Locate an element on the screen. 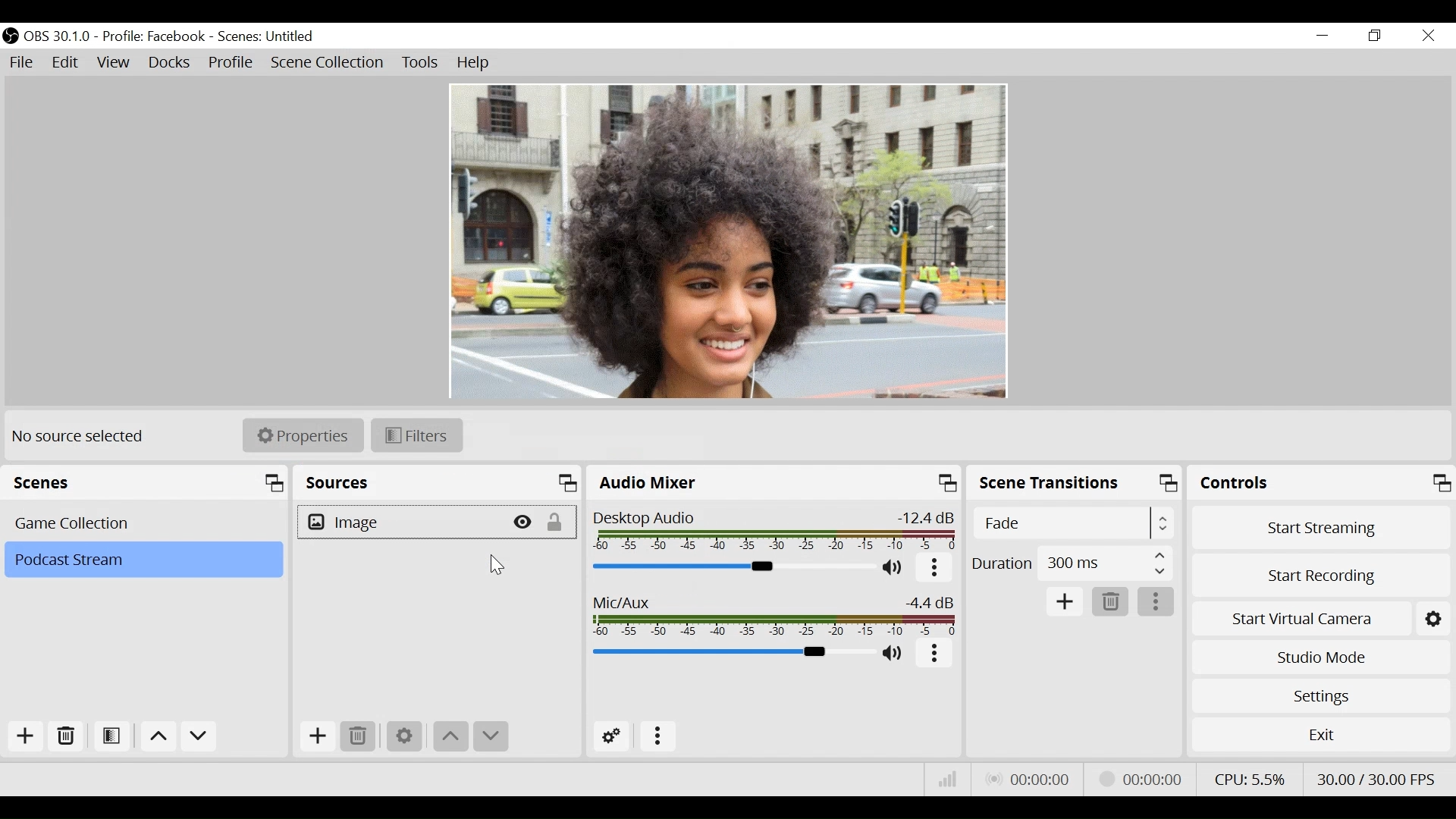  Scenes is located at coordinates (145, 482).